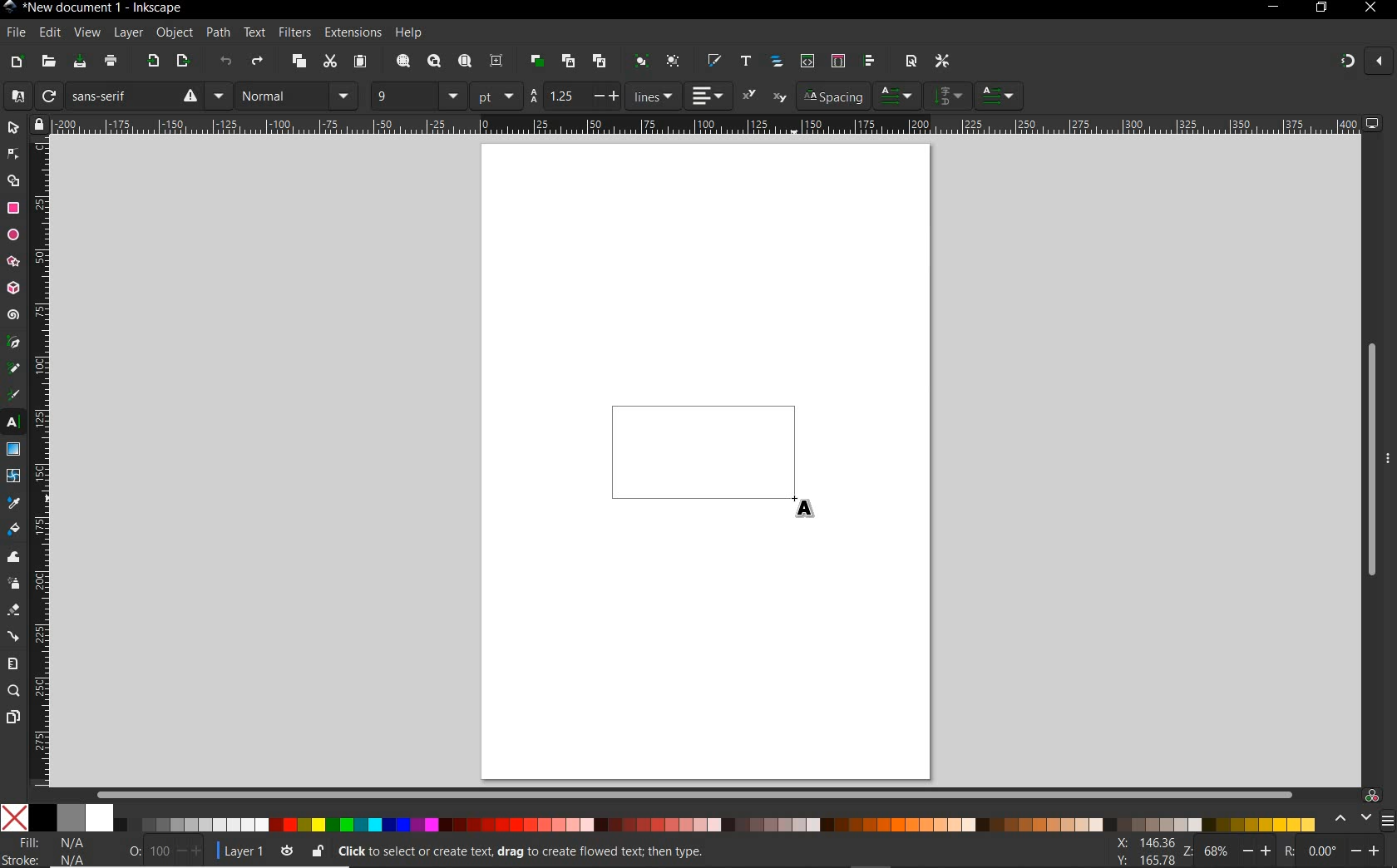 The height and width of the screenshot is (868, 1397). What do you see at coordinates (832, 96) in the screenshot?
I see `Spacing` at bounding box center [832, 96].